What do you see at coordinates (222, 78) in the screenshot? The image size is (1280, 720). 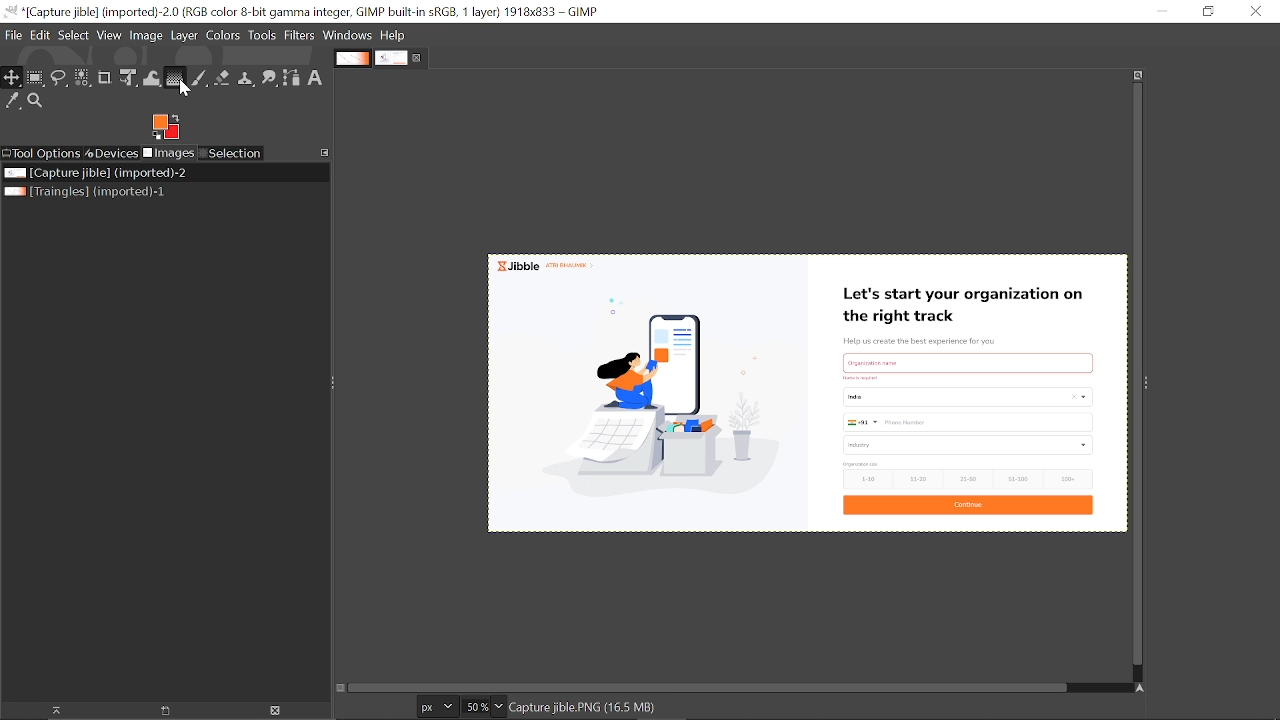 I see `Eraser tool` at bounding box center [222, 78].